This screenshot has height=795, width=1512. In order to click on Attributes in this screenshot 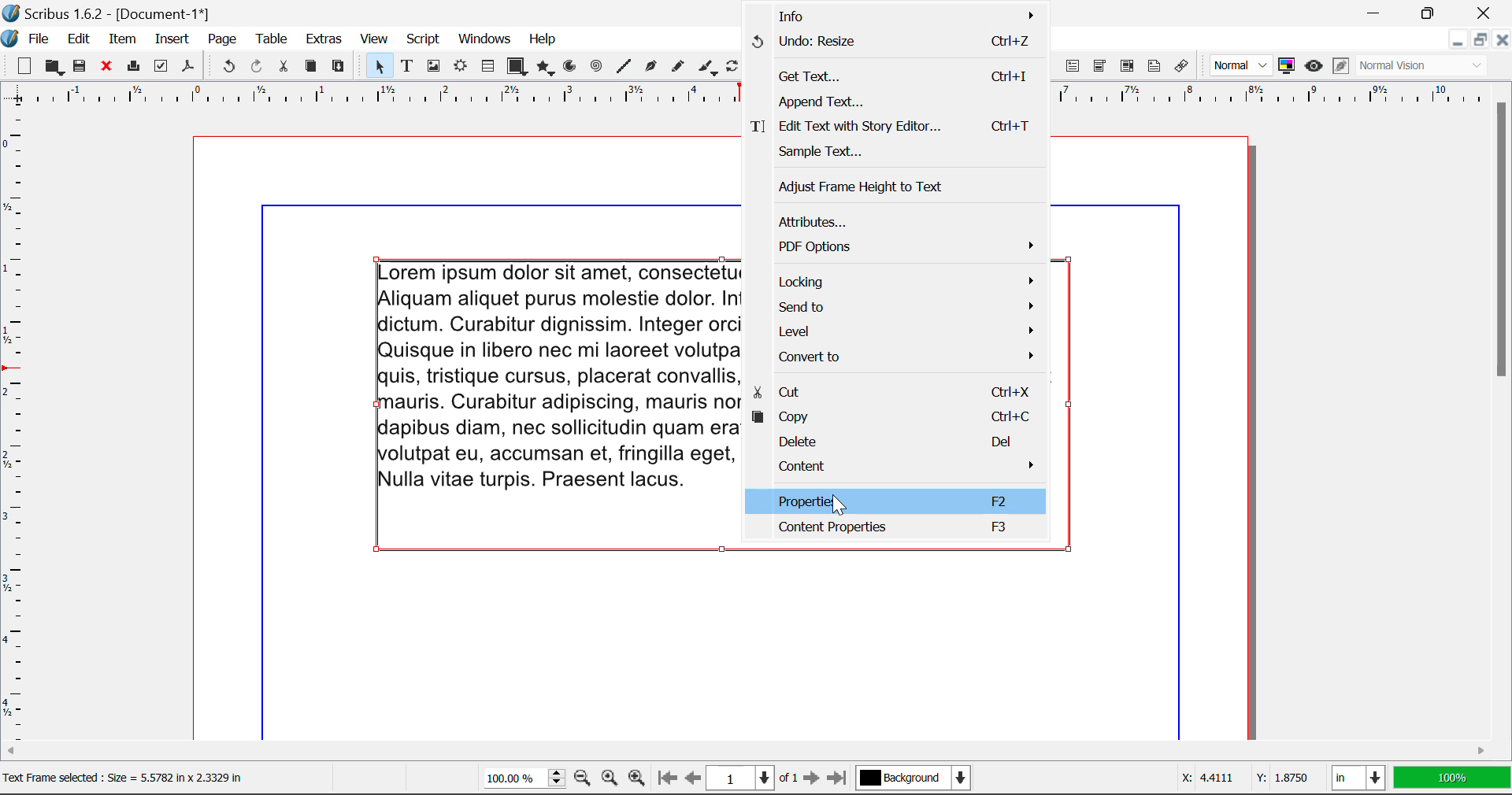, I will do `click(893, 219)`.